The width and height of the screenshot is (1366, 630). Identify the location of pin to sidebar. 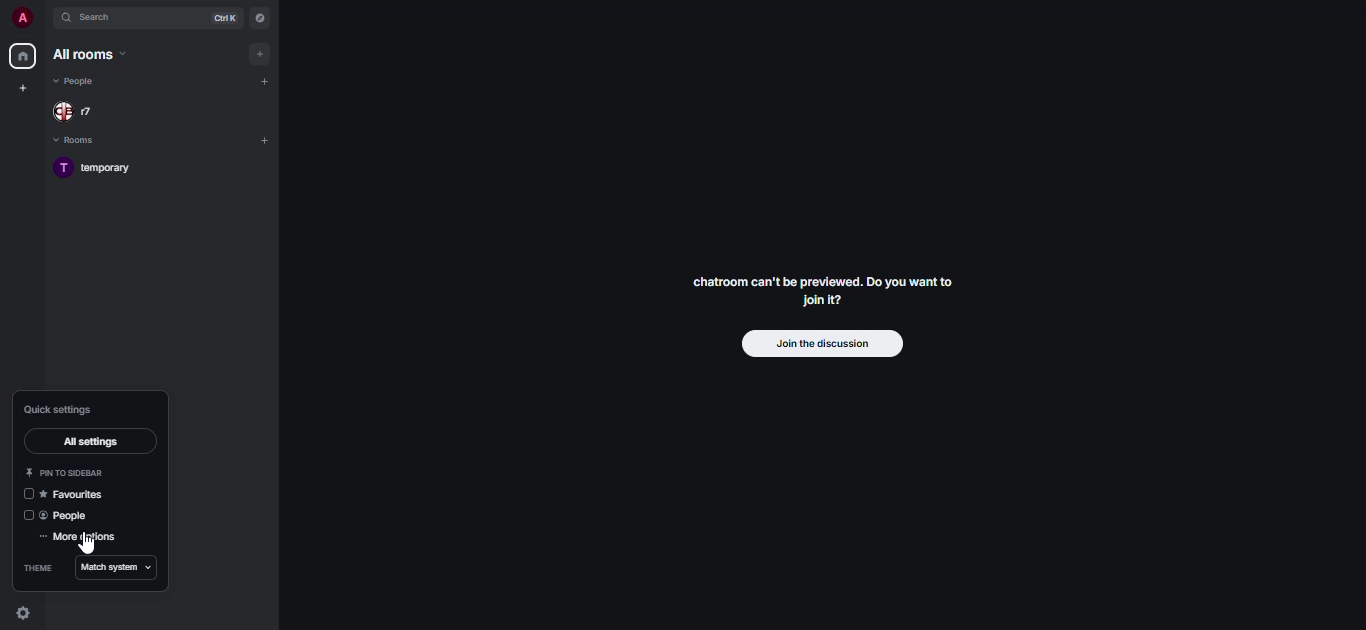
(70, 473).